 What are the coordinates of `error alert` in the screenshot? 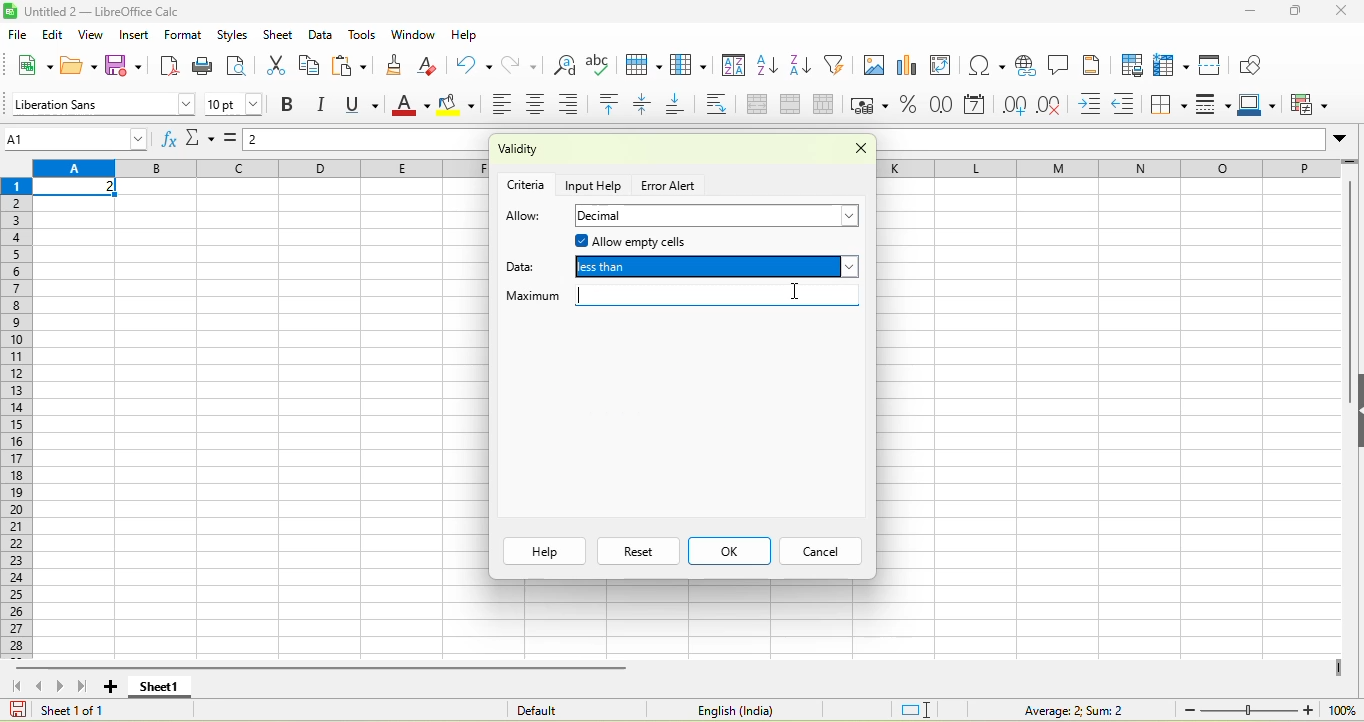 It's located at (671, 186).